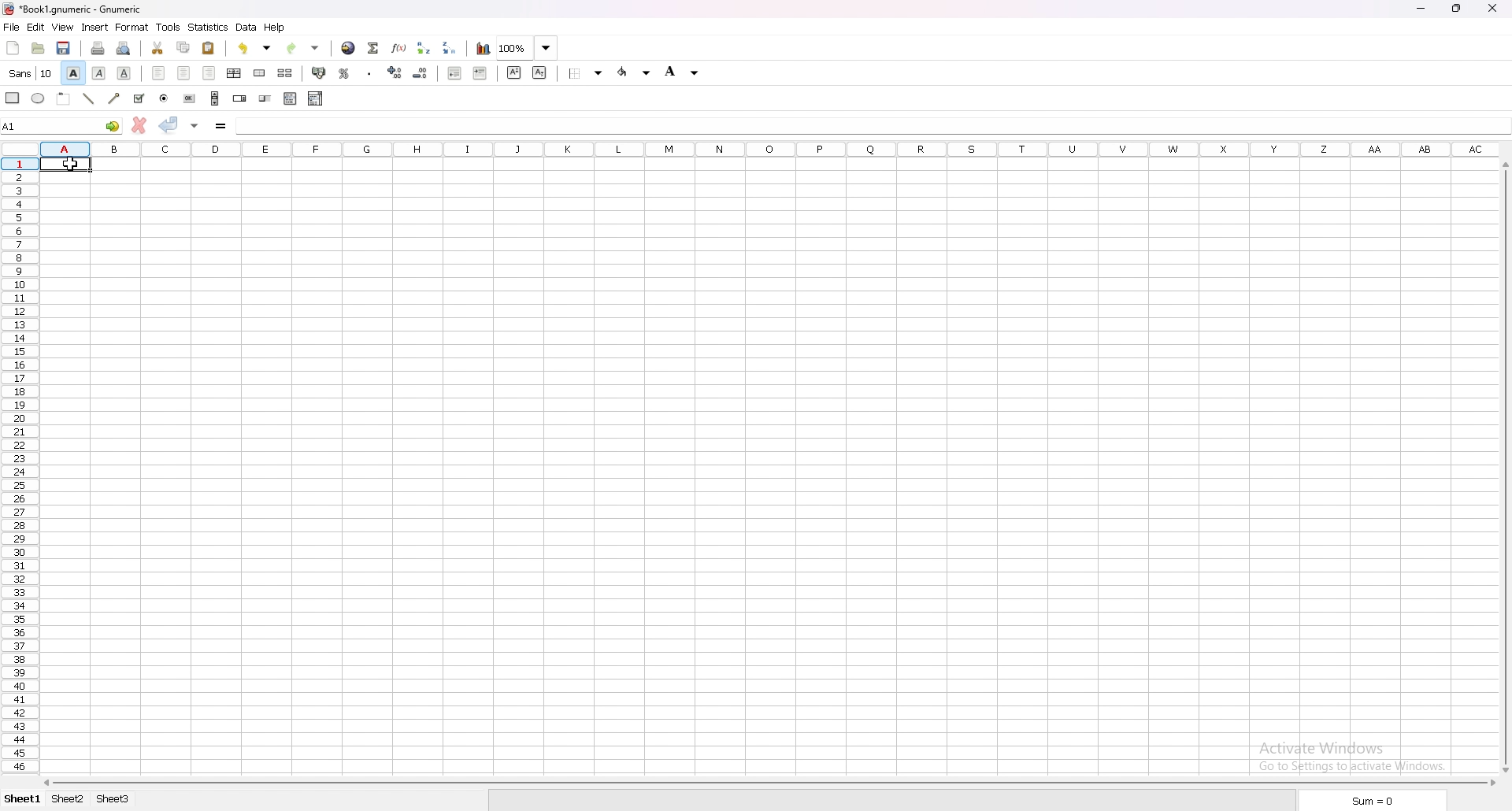 The width and height of the screenshot is (1512, 811). I want to click on minimize, so click(1422, 9).